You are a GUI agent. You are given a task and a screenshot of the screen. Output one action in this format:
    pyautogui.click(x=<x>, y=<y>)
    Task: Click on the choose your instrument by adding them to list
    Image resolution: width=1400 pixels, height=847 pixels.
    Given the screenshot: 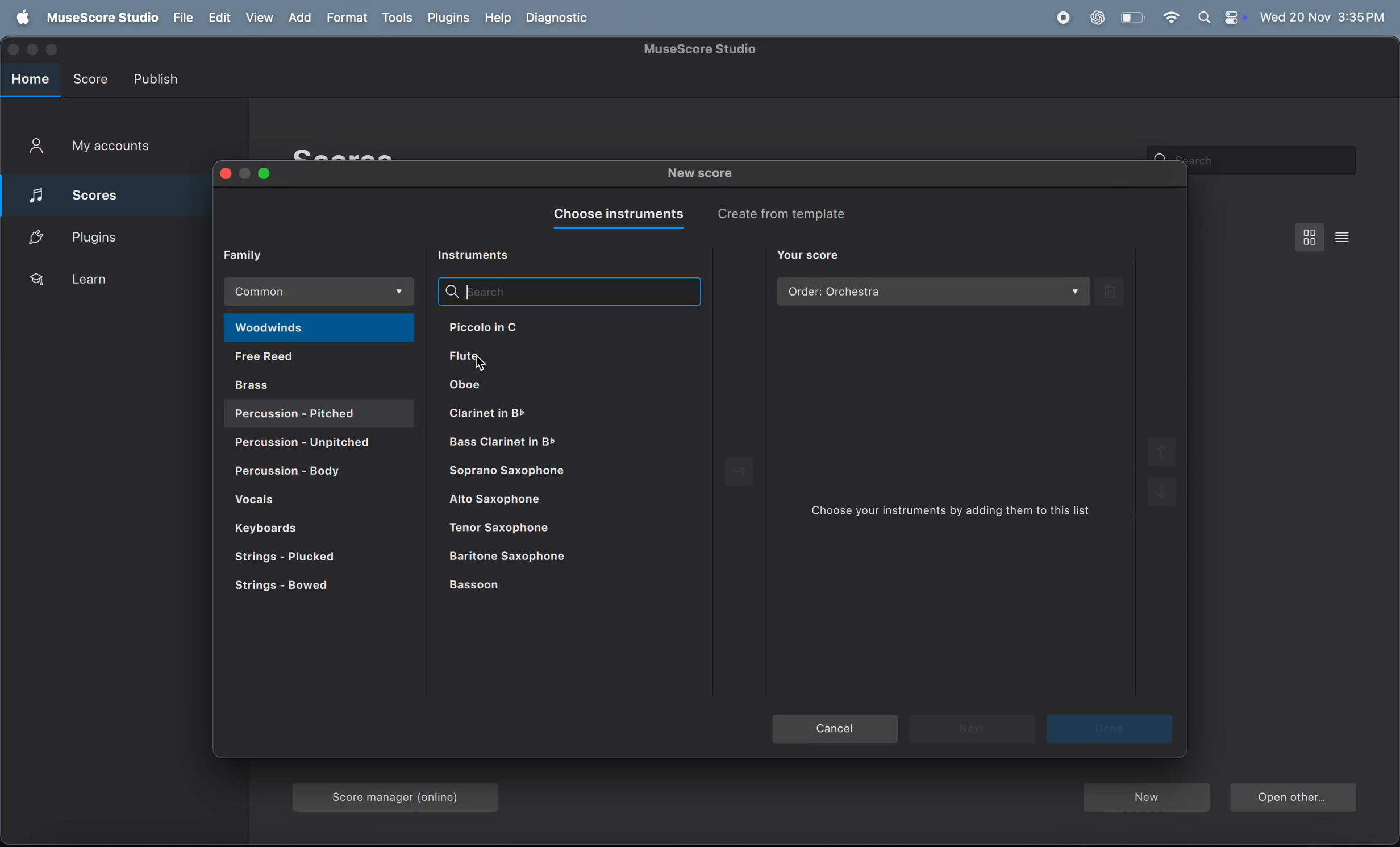 What is the action you would take?
    pyautogui.click(x=957, y=514)
    